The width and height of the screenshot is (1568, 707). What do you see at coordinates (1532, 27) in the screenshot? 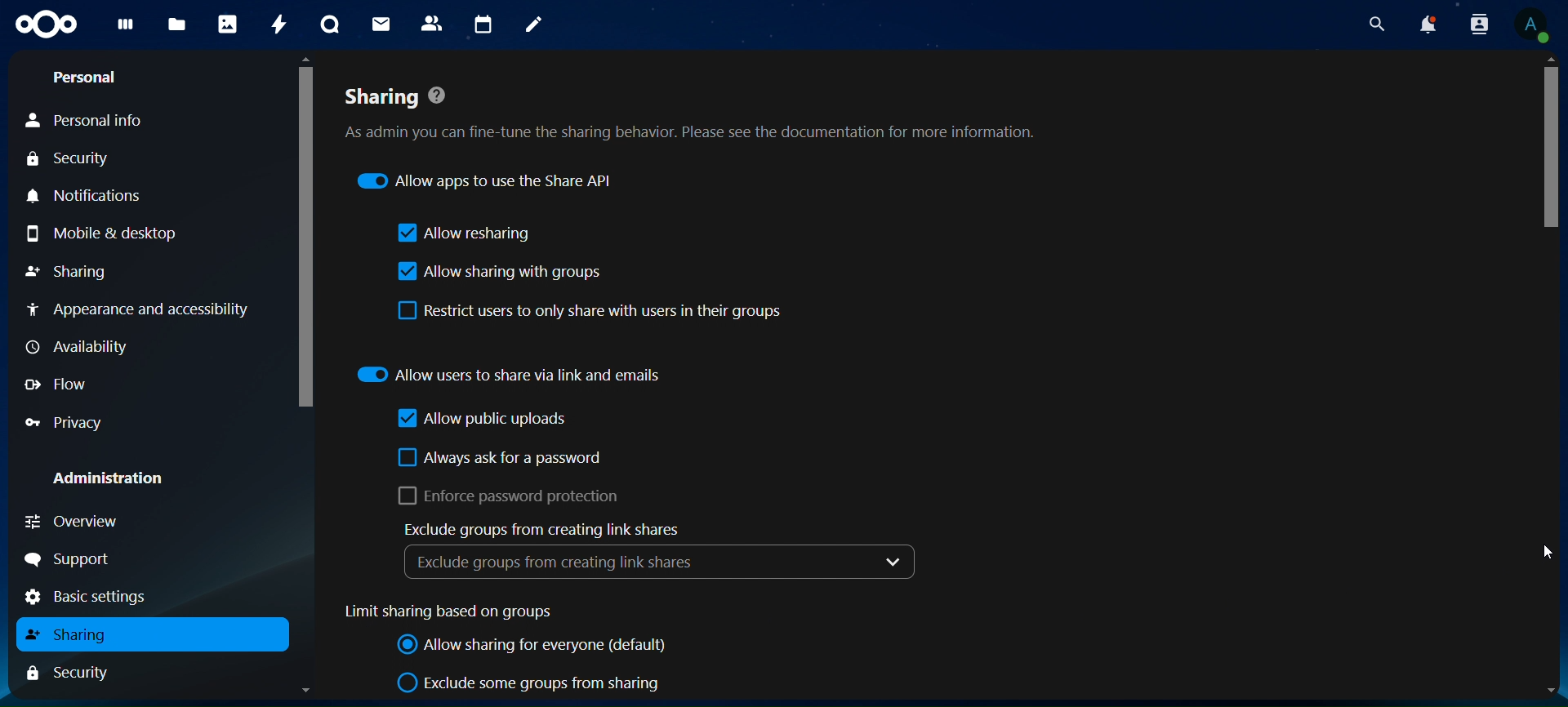
I see `View Profile` at bounding box center [1532, 27].